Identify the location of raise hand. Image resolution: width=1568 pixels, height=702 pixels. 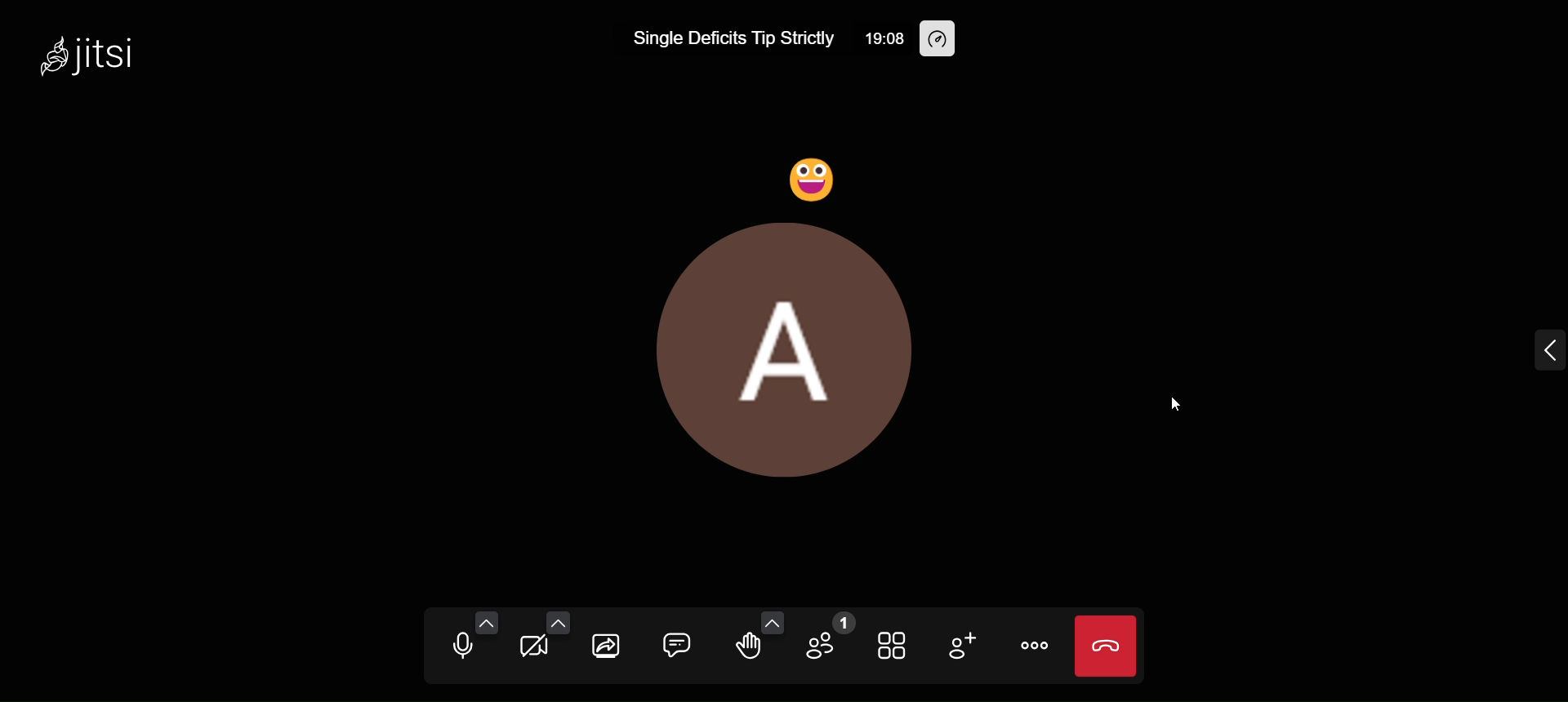
(748, 646).